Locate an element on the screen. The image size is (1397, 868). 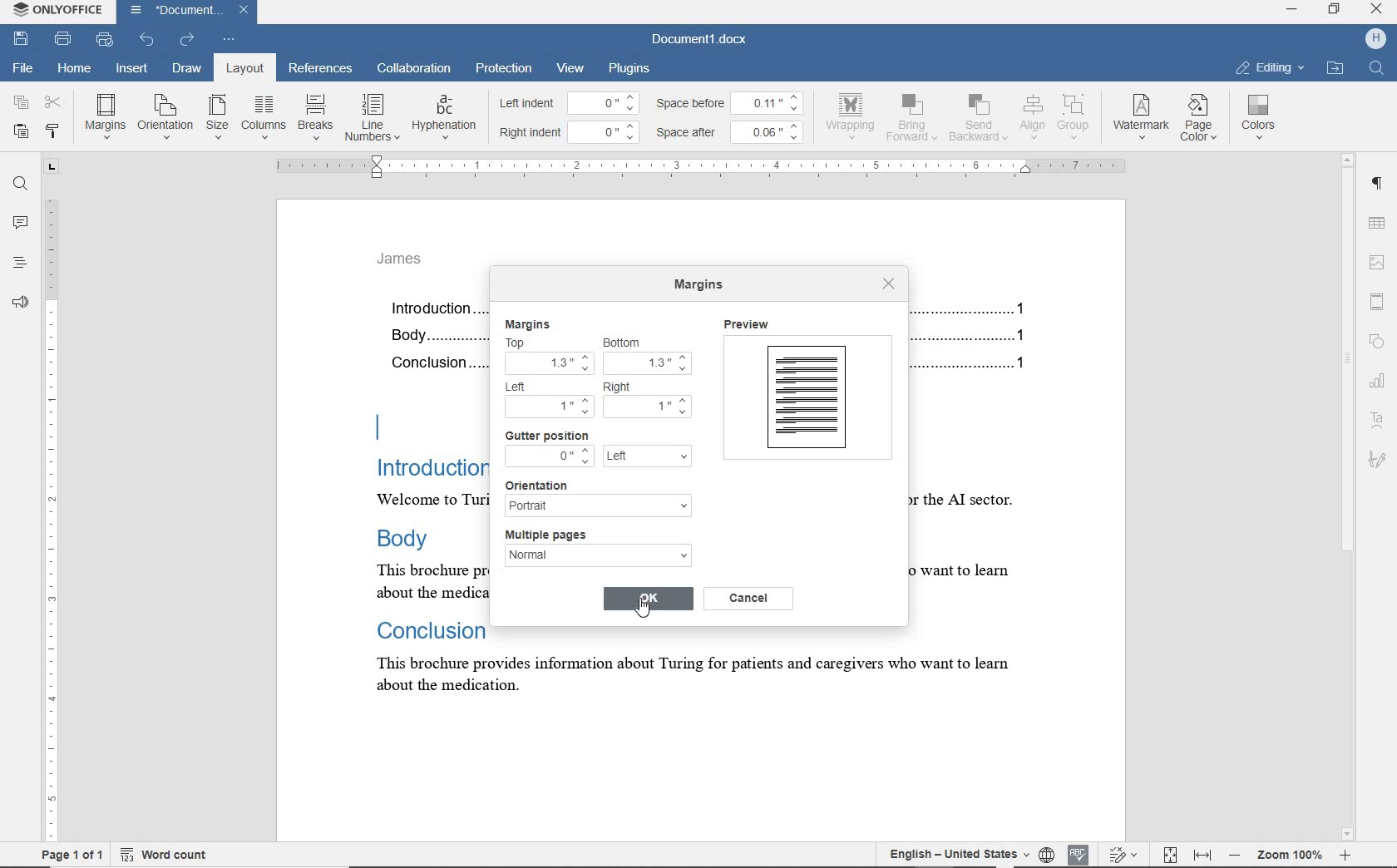
OPEN LINK LOCATION is located at coordinates (1338, 67).